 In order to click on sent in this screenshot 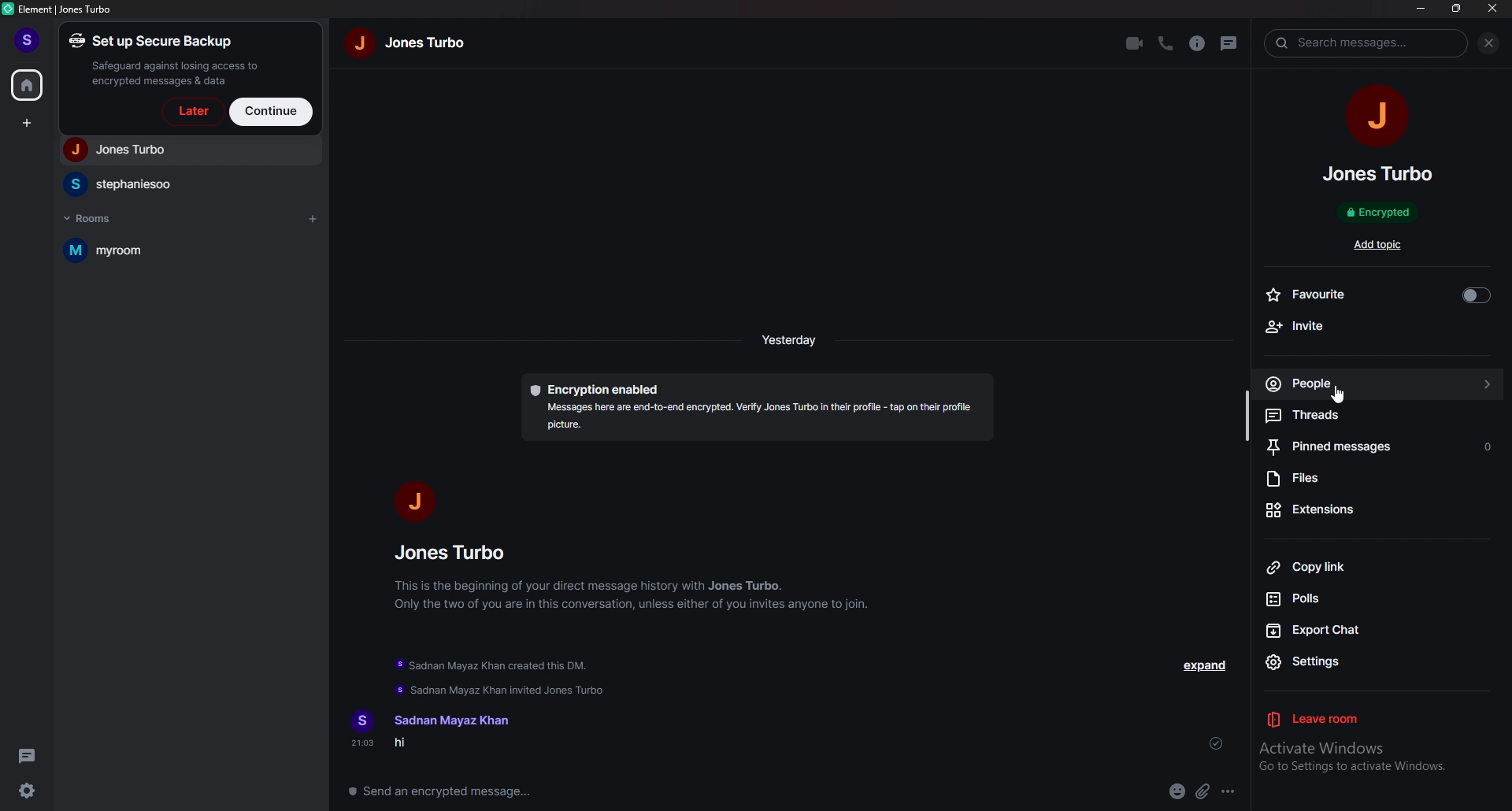, I will do `click(1216, 743)`.